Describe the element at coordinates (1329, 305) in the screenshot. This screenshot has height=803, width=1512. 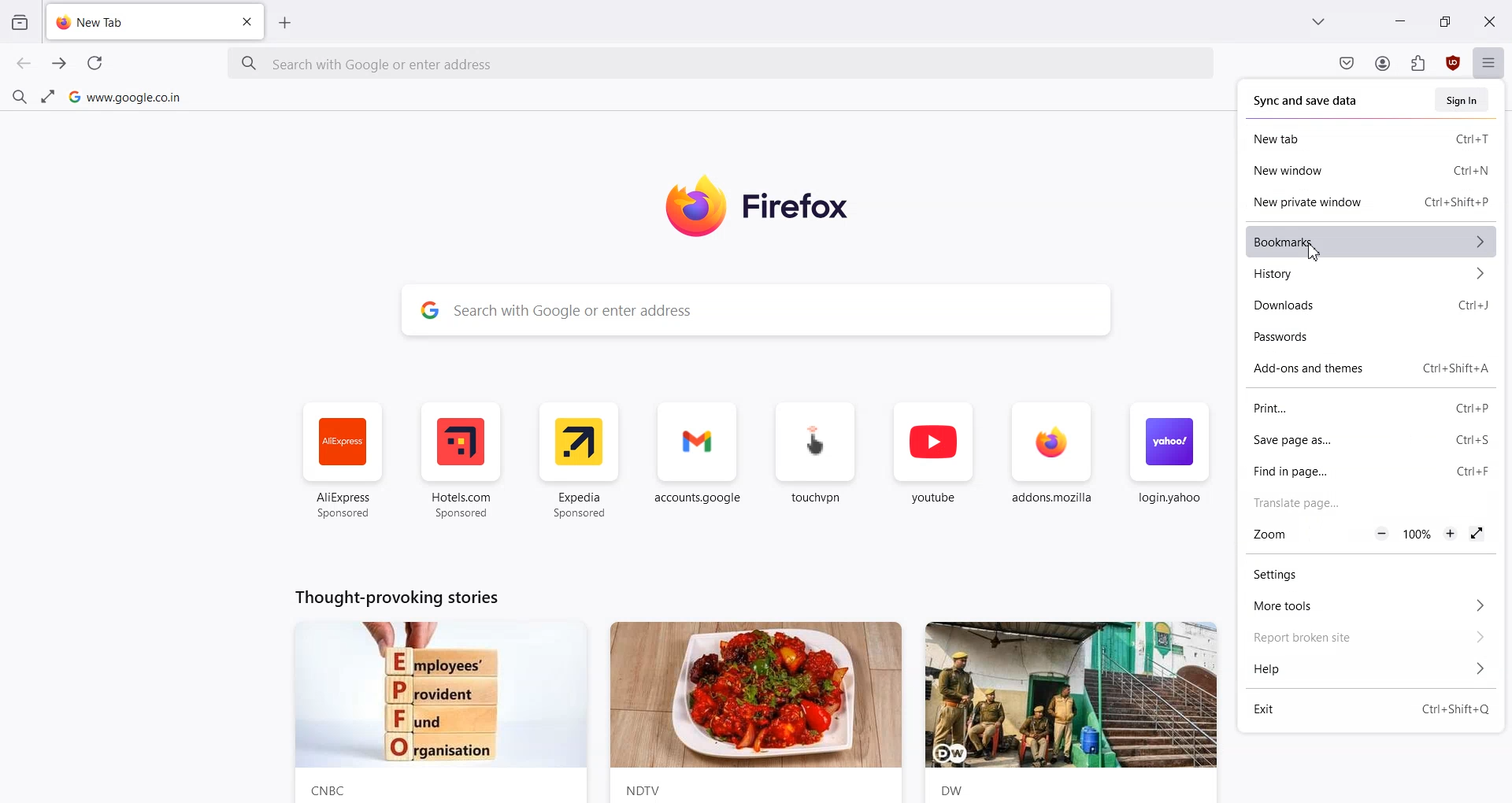
I see `Downloads` at that location.